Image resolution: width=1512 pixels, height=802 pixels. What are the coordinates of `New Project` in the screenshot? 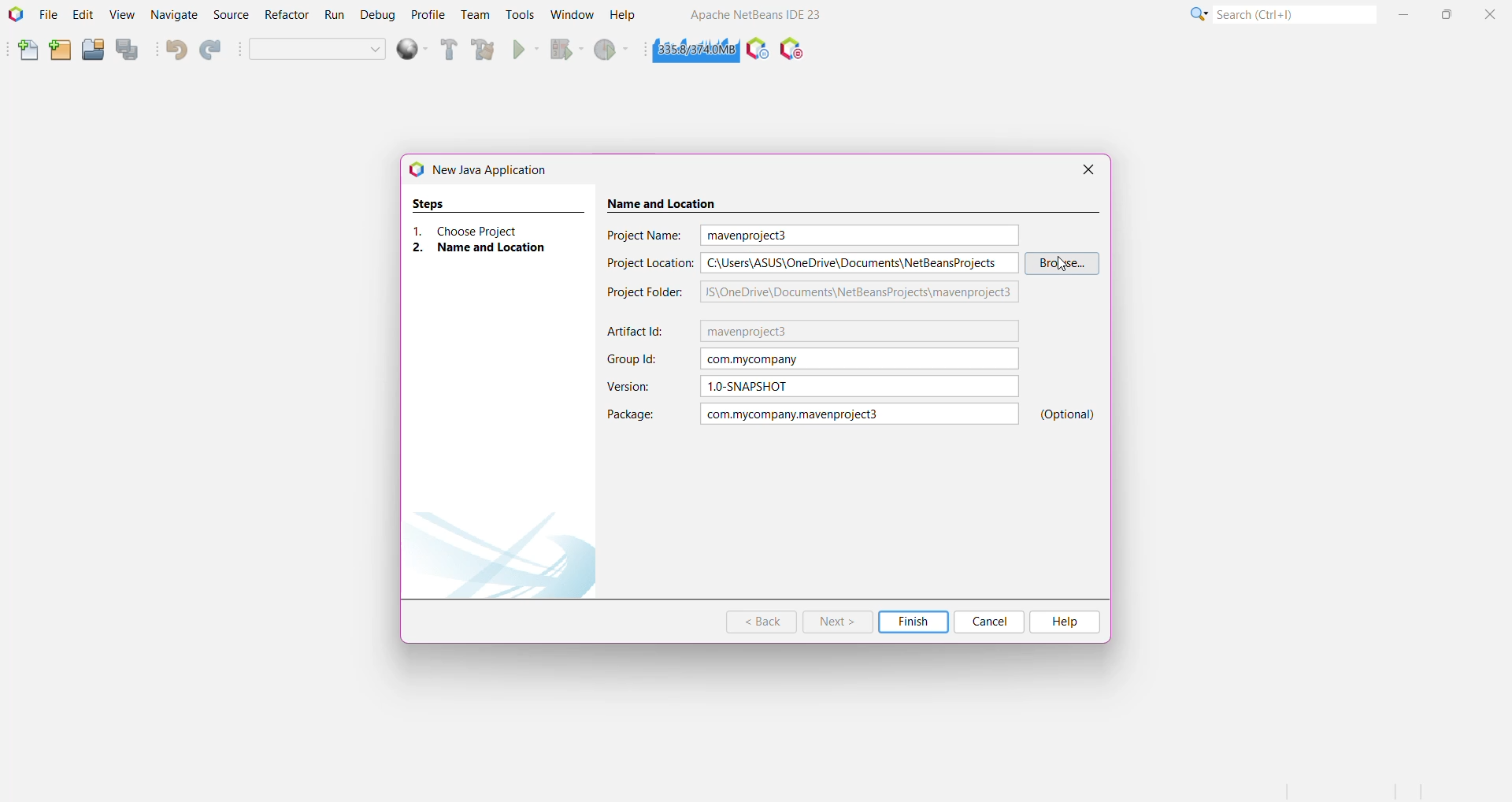 It's located at (59, 51).